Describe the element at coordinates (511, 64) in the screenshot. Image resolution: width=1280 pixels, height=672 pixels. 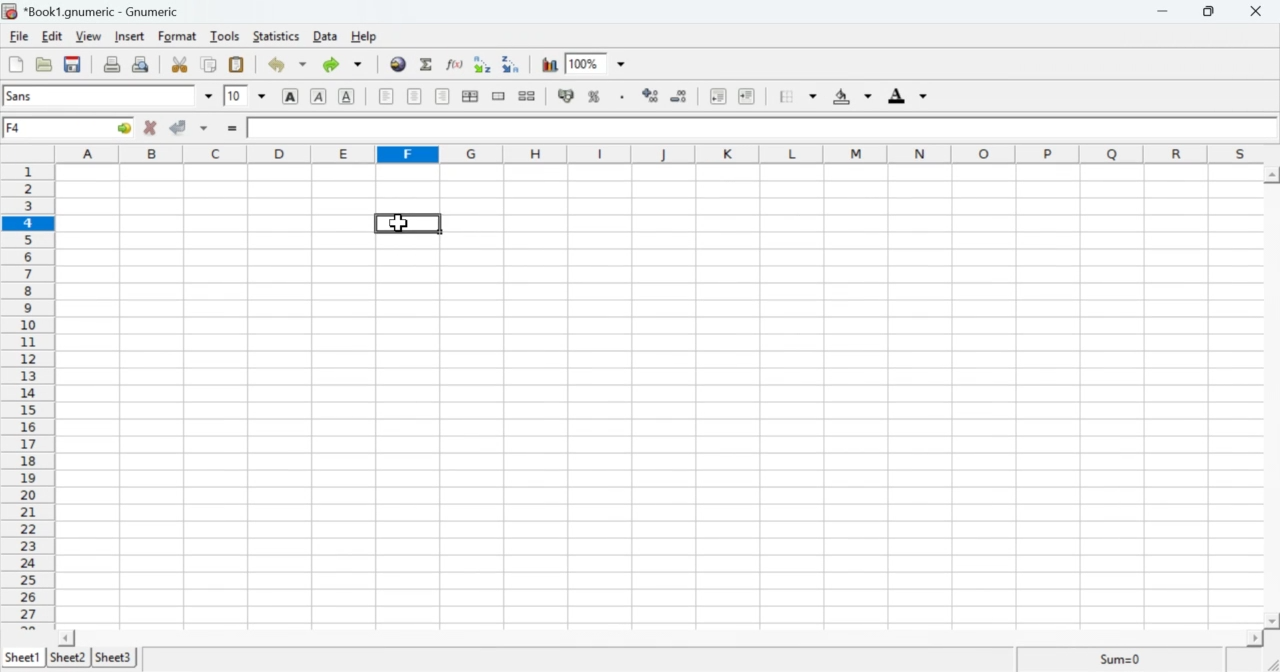
I see `Sort descending` at that location.